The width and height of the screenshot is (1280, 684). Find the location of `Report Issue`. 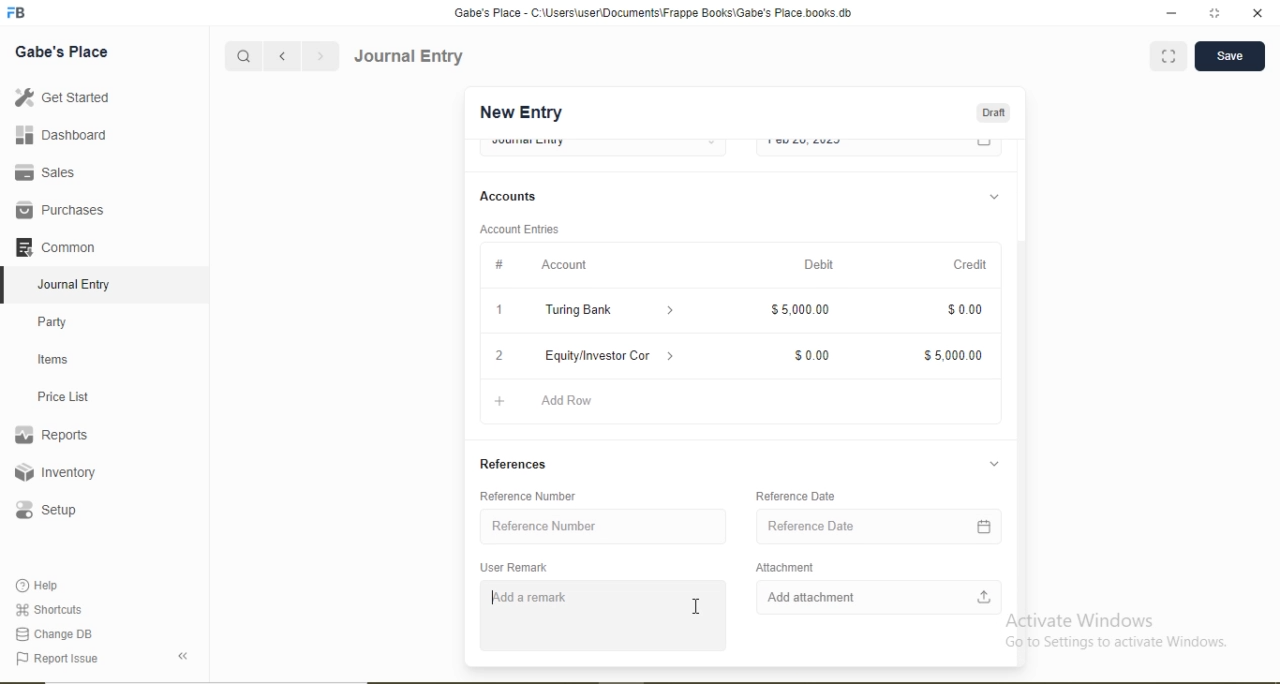

Report Issue is located at coordinates (56, 659).